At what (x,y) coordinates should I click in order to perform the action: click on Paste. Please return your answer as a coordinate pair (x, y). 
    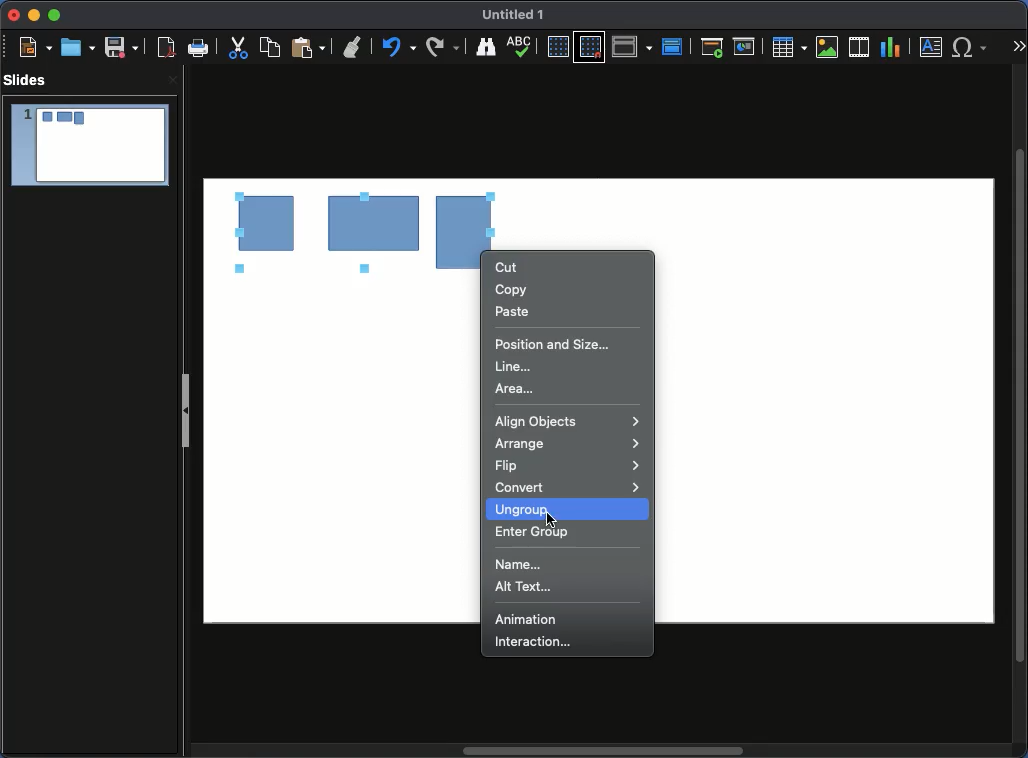
    Looking at the image, I should click on (514, 311).